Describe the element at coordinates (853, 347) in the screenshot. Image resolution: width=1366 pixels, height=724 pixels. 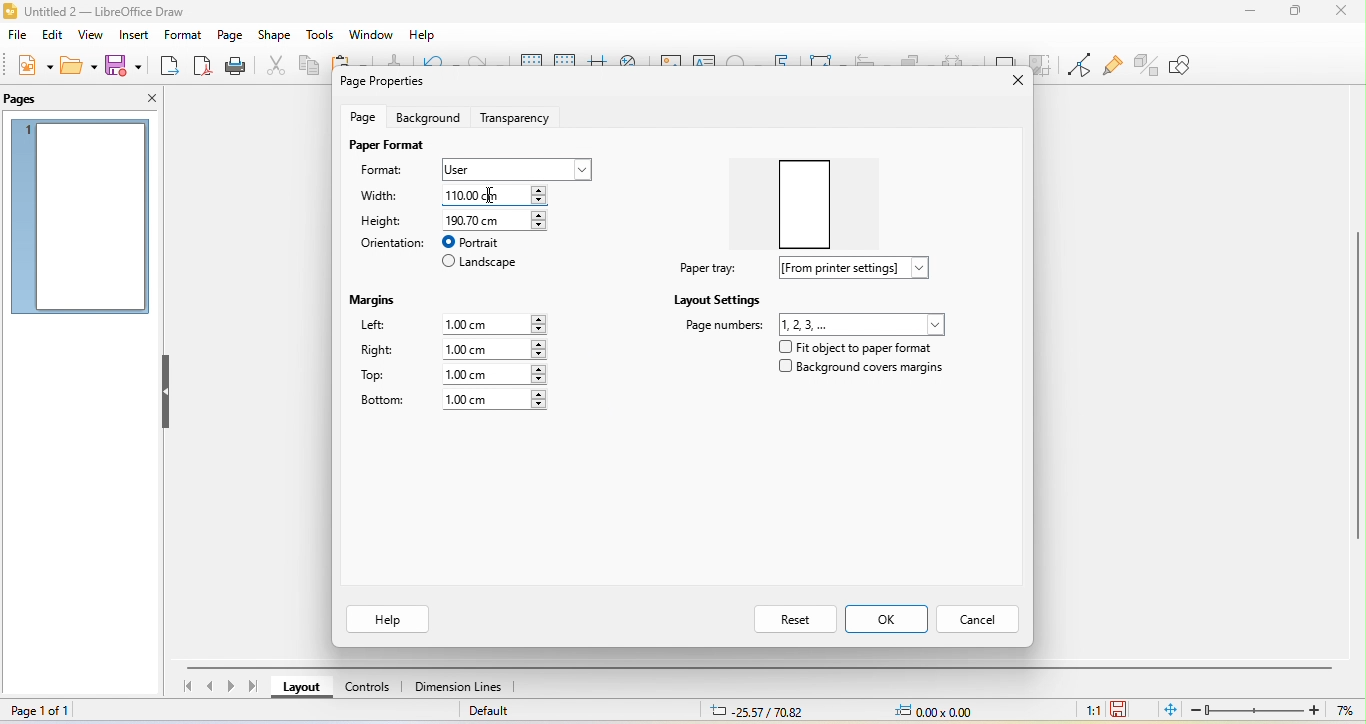
I see `fit object to paper format` at that location.